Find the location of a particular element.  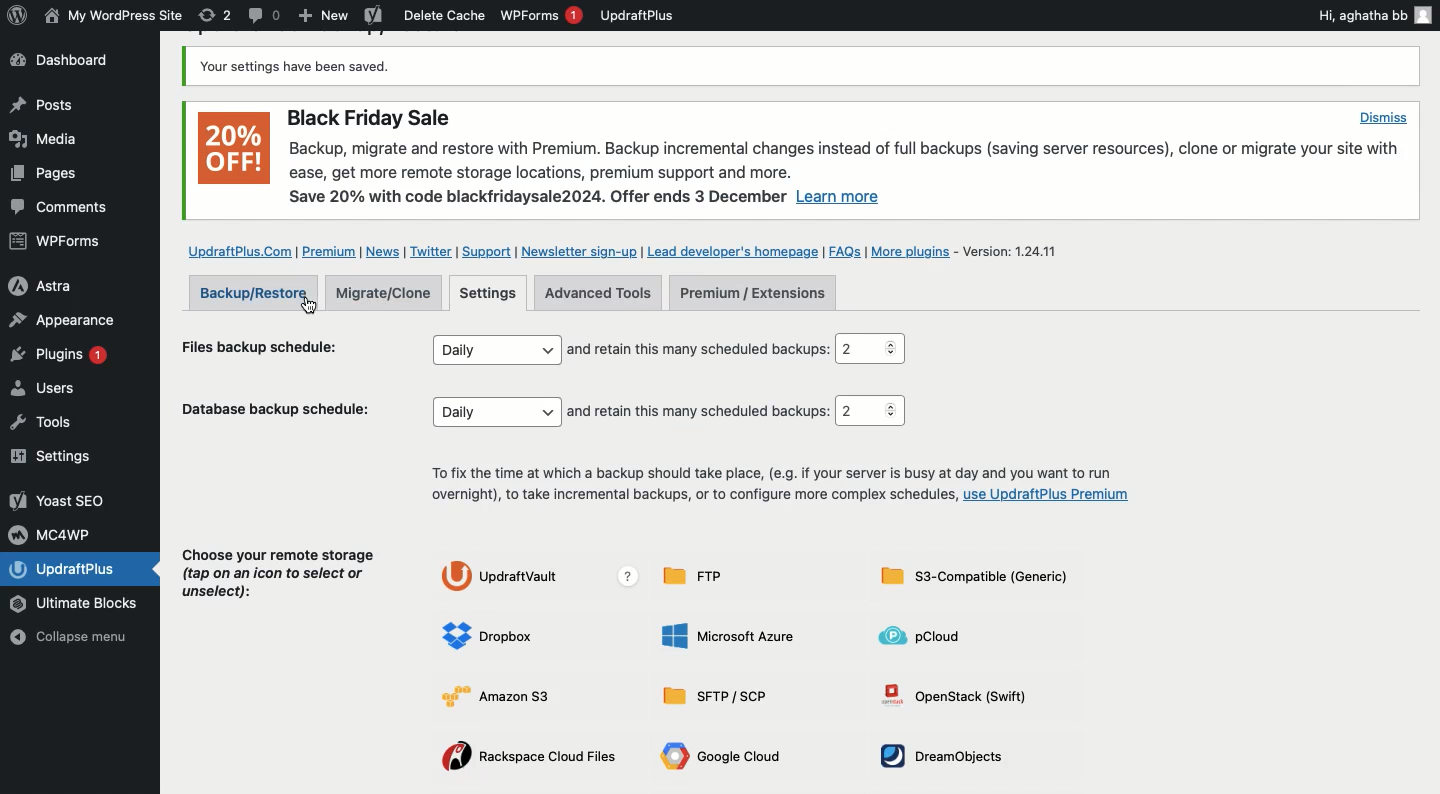

To fix the time at which a backup should take place, (e.g. if your server is busy at day and you want to run
overnight), to take incremental backups, or to configure more complex schedules, use UpdraftPlus Premium is located at coordinates (778, 487).